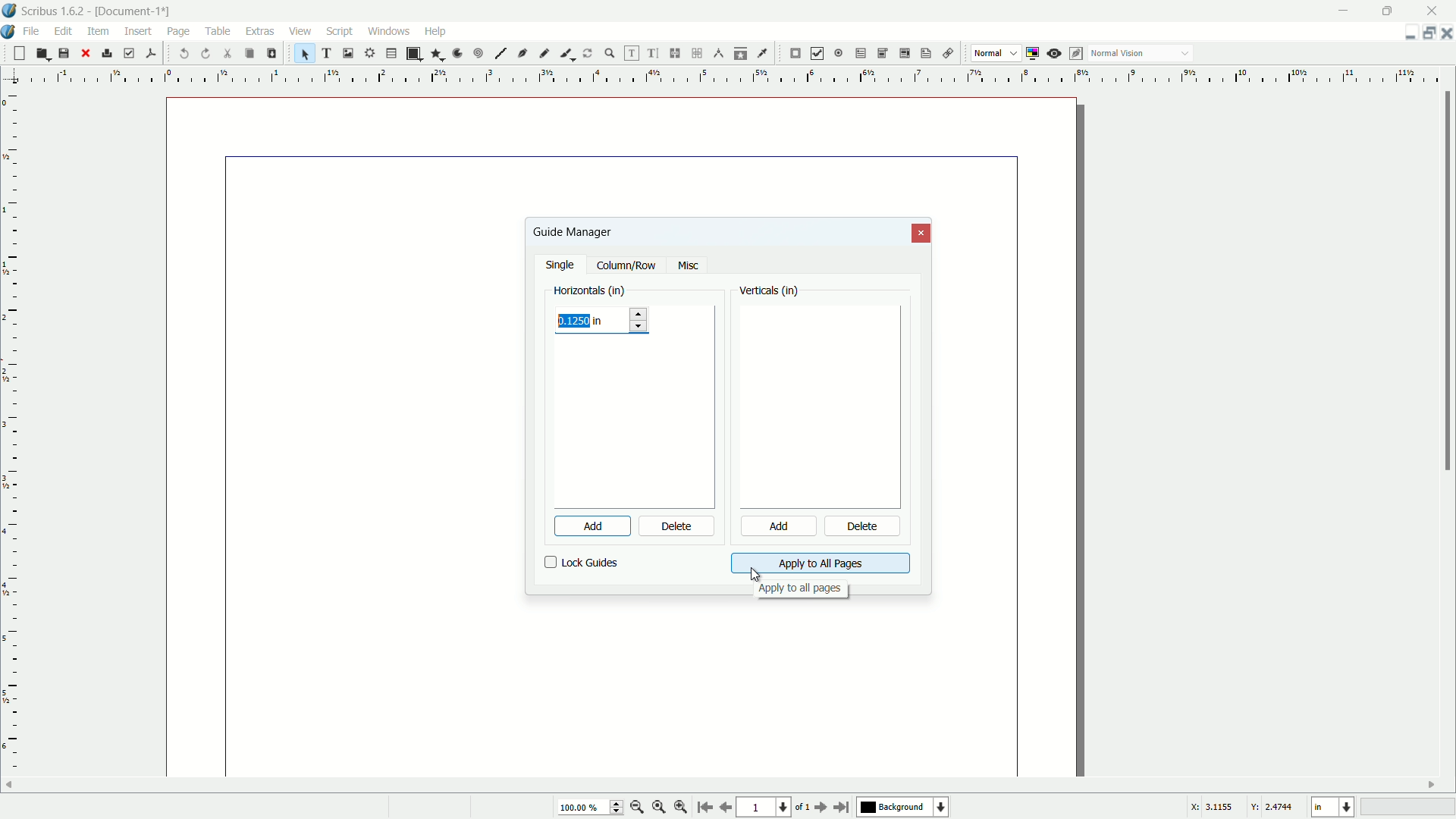  What do you see at coordinates (129, 54) in the screenshot?
I see `preflight verifier` at bounding box center [129, 54].